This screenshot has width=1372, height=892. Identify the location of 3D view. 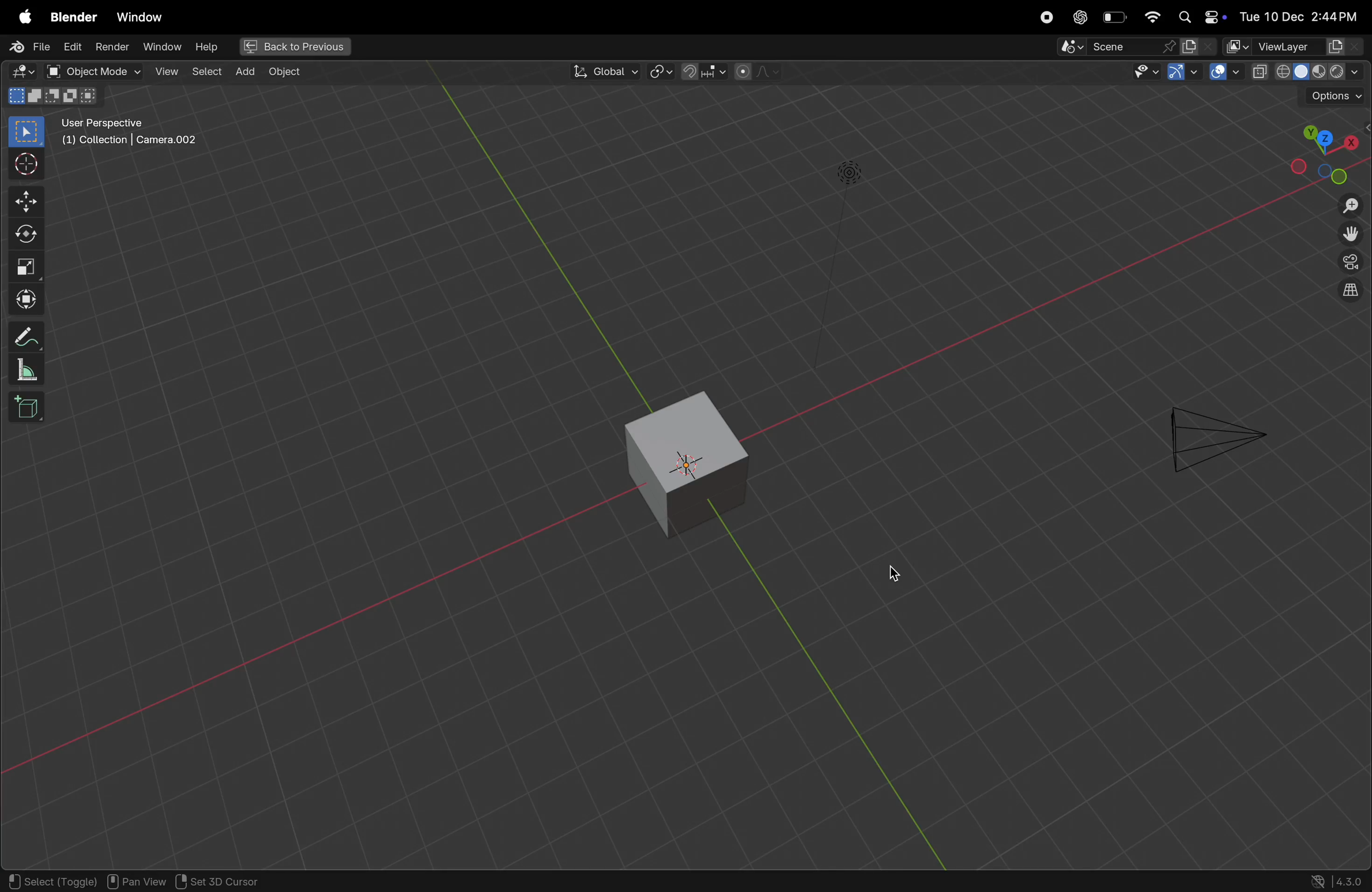
(689, 464).